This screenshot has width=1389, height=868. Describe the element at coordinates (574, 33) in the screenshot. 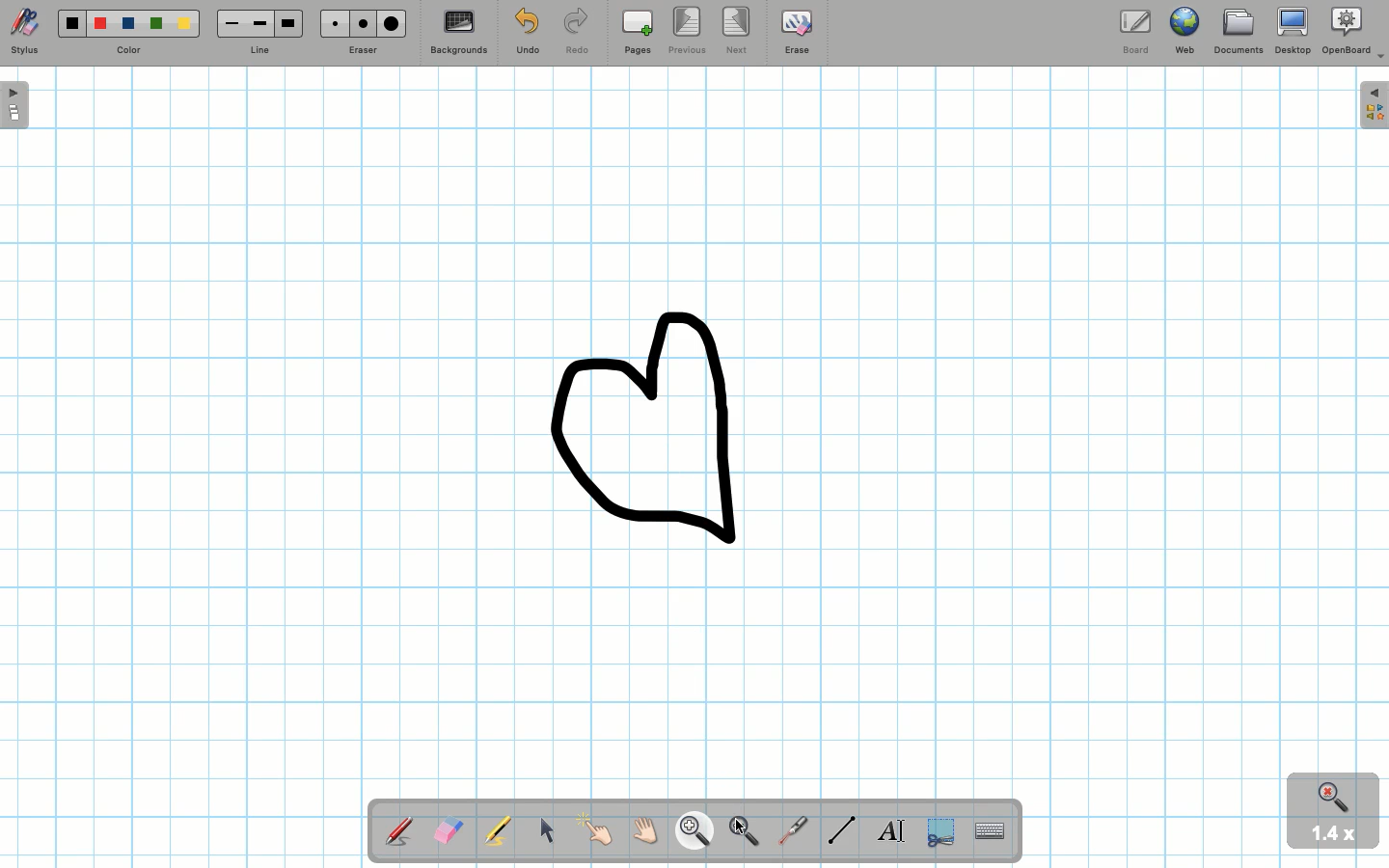

I see `Redo` at that location.